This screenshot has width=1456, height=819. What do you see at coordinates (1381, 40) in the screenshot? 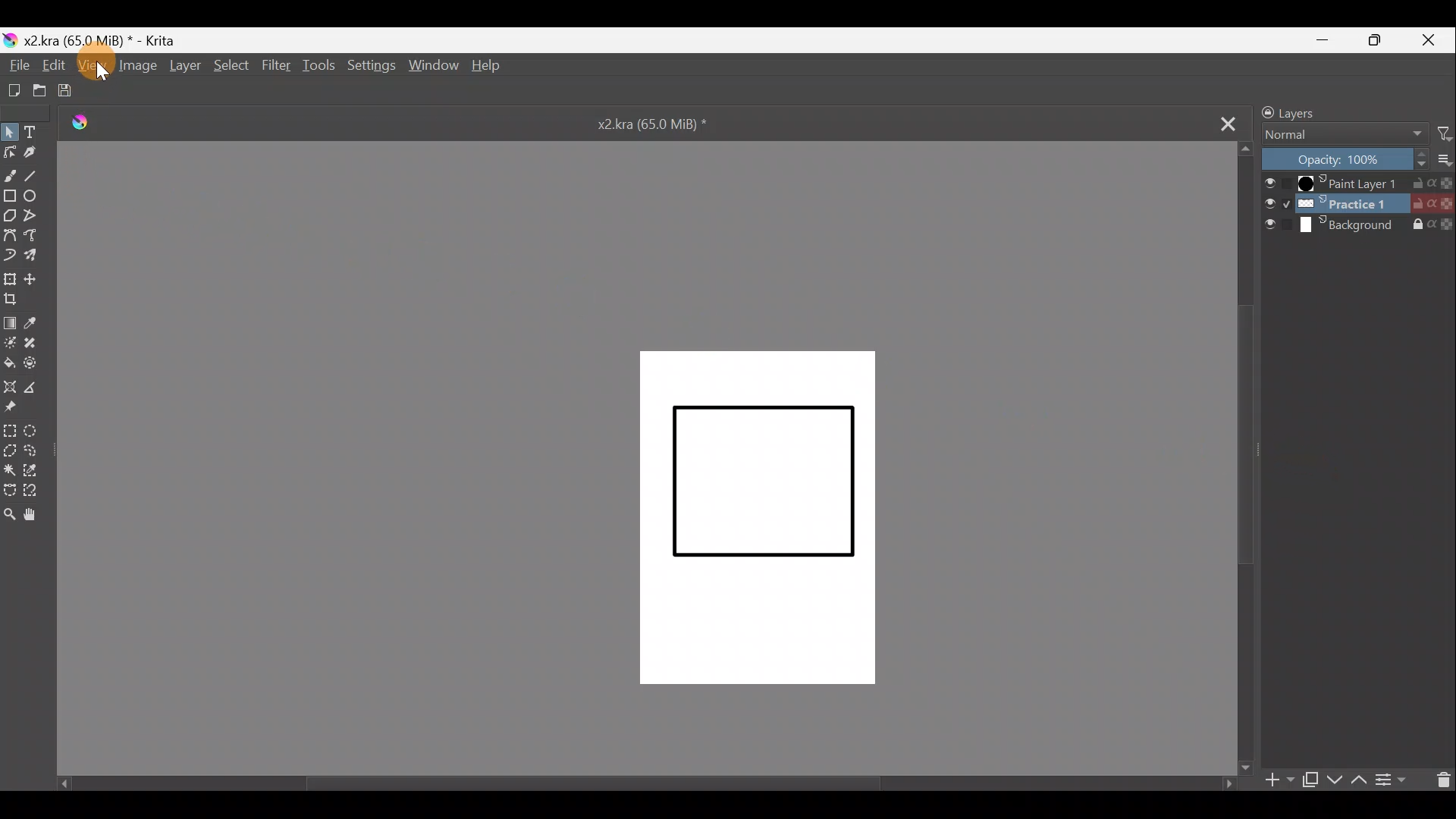
I see `Maximise` at bounding box center [1381, 40].